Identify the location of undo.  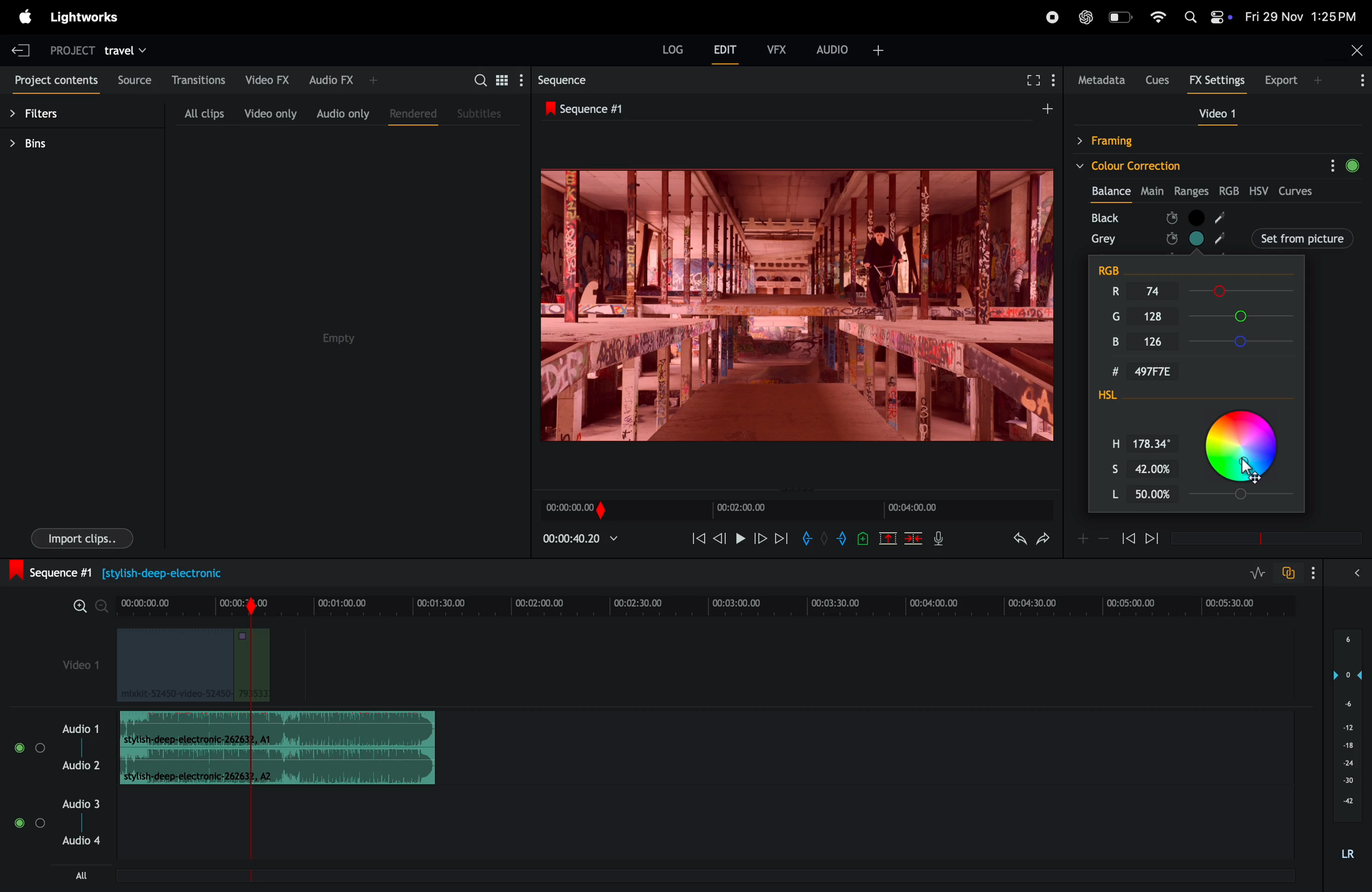
(1016, 541).